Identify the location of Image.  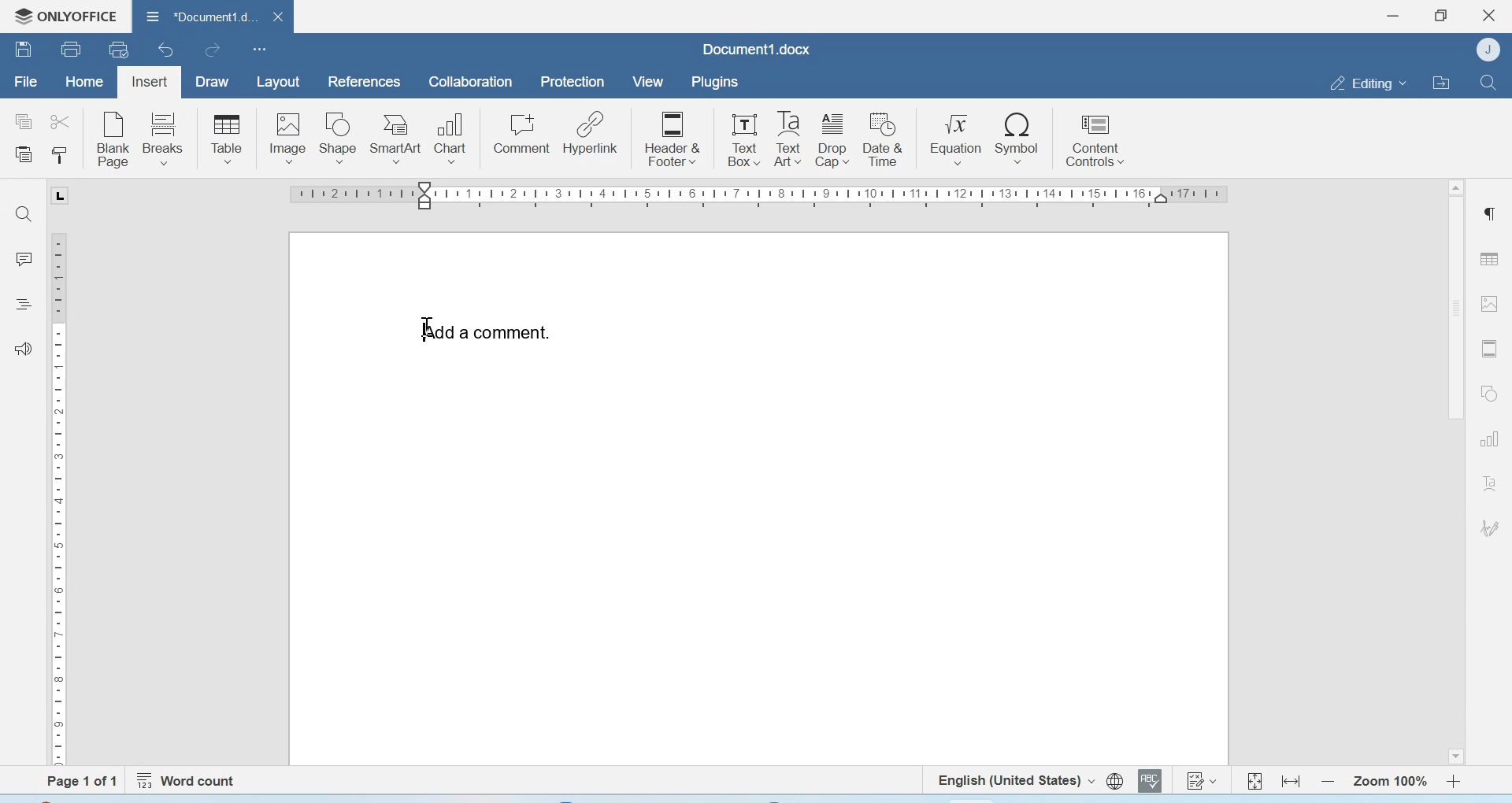
(1490, 302).